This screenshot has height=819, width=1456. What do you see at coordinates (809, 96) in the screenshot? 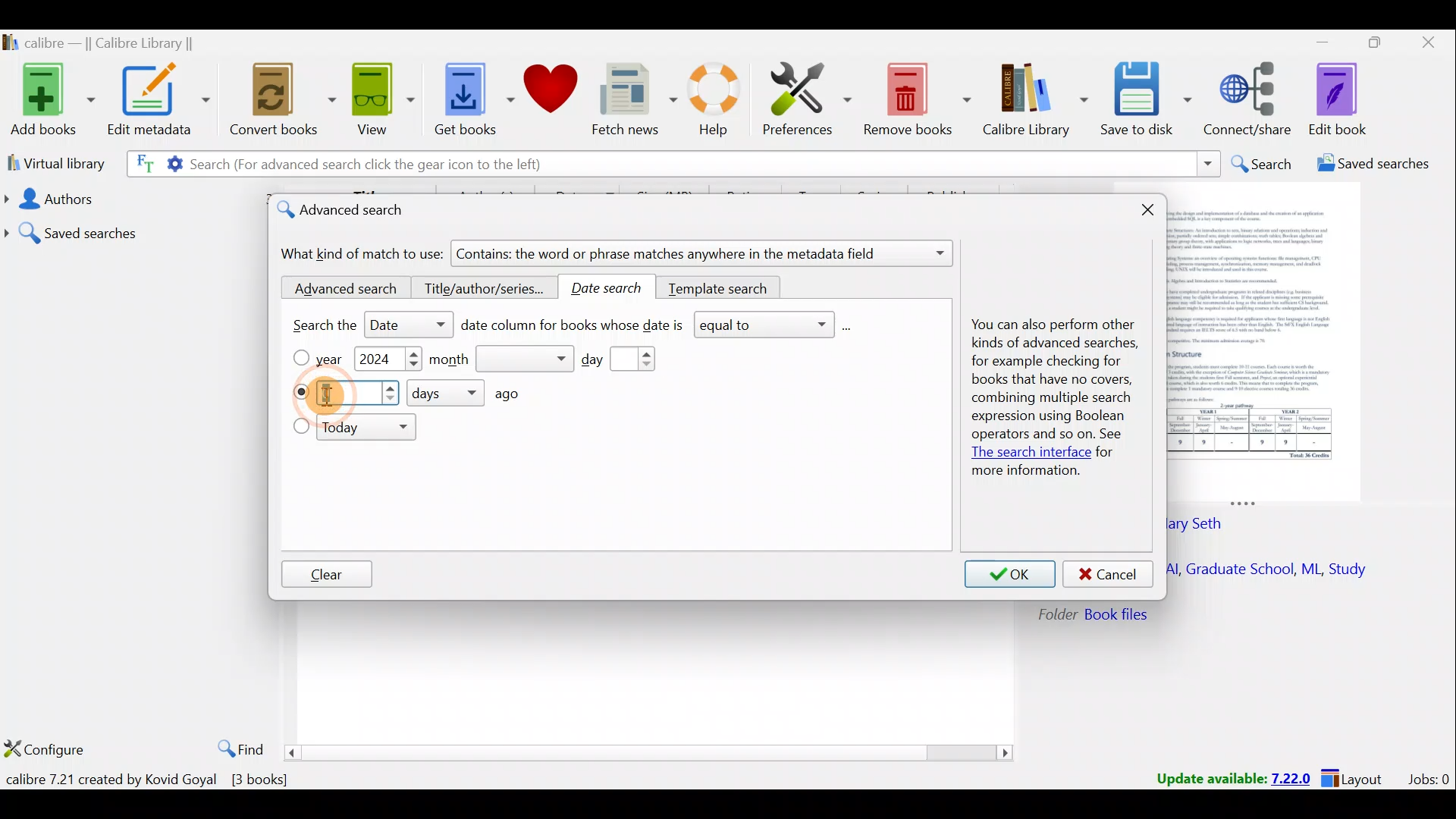
I see `Preferences` at bounding box center [809, 96].